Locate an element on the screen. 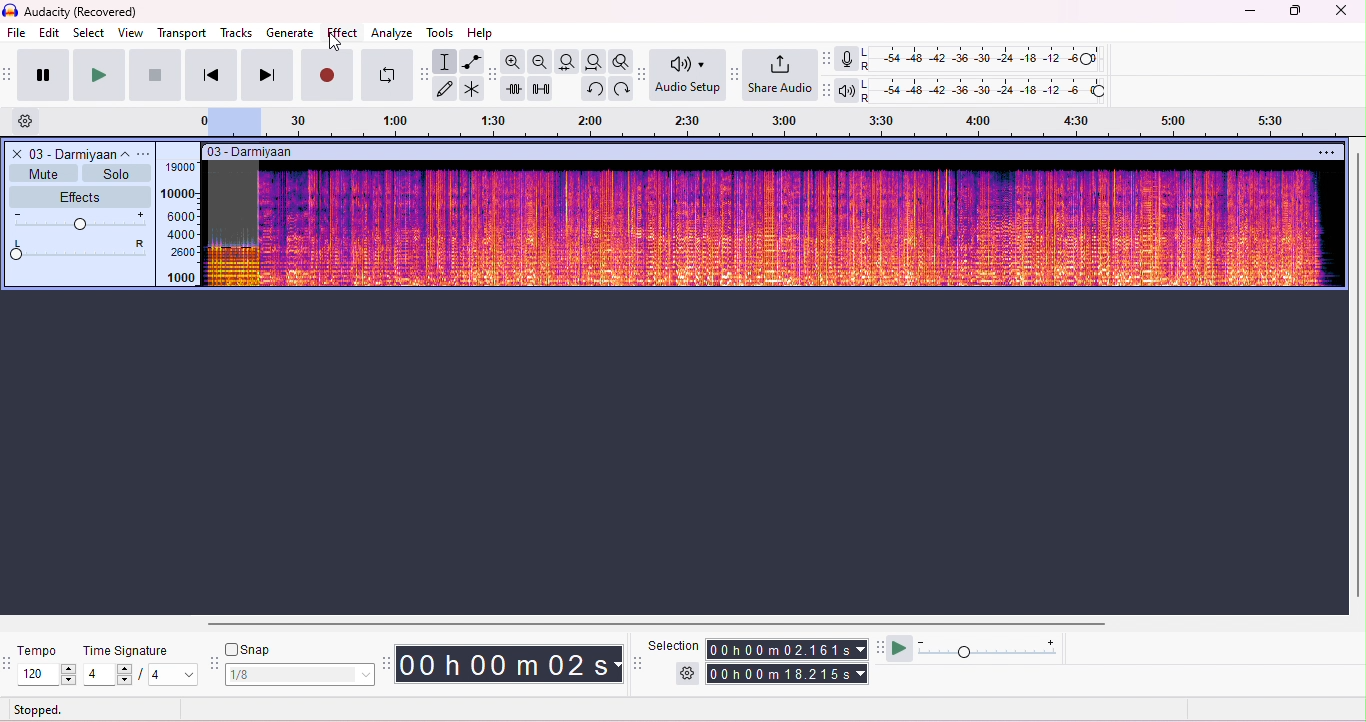  playback meter toolbar is located at coordinates (830, 90).